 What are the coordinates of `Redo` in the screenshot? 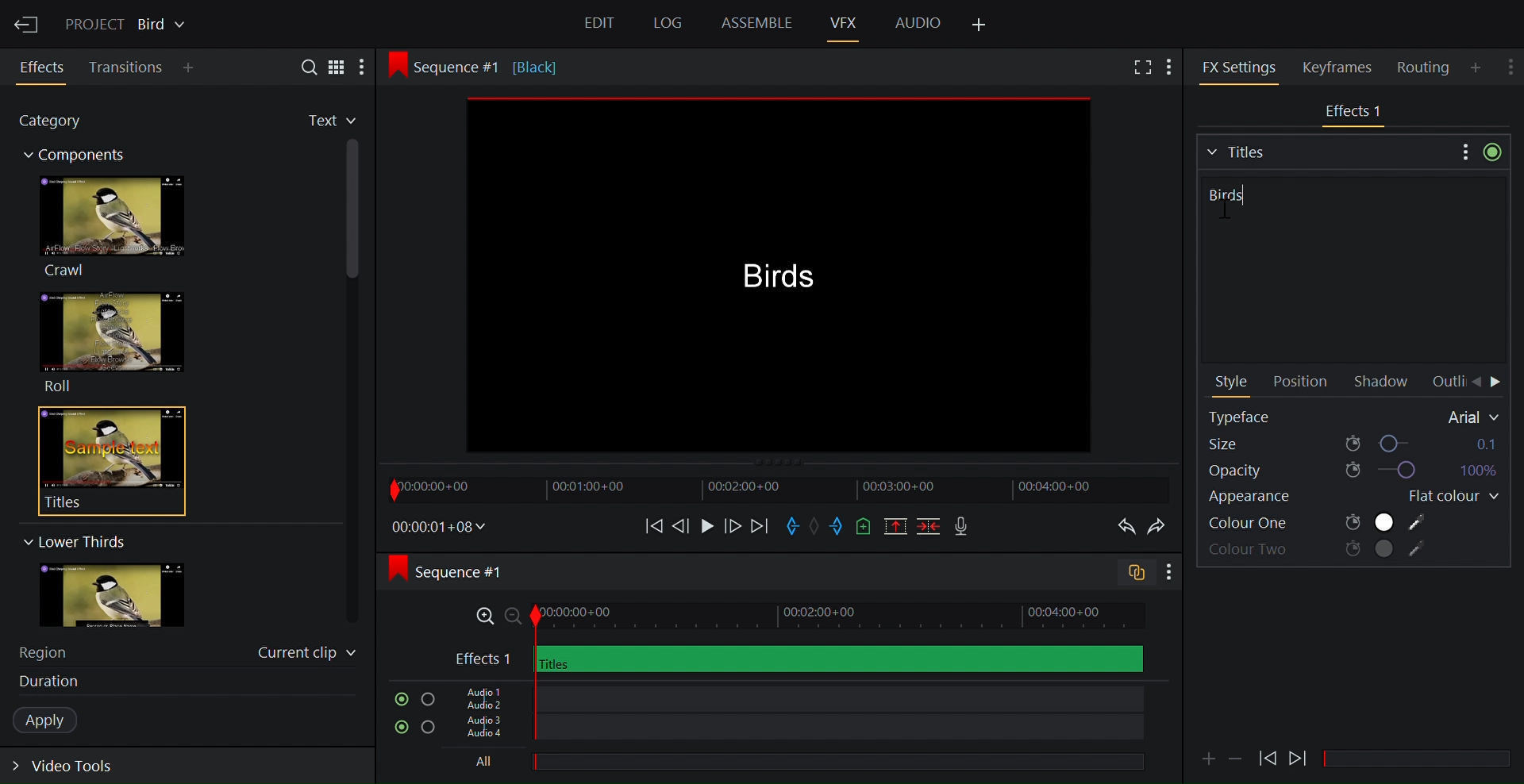 It's located at (1160, 527).